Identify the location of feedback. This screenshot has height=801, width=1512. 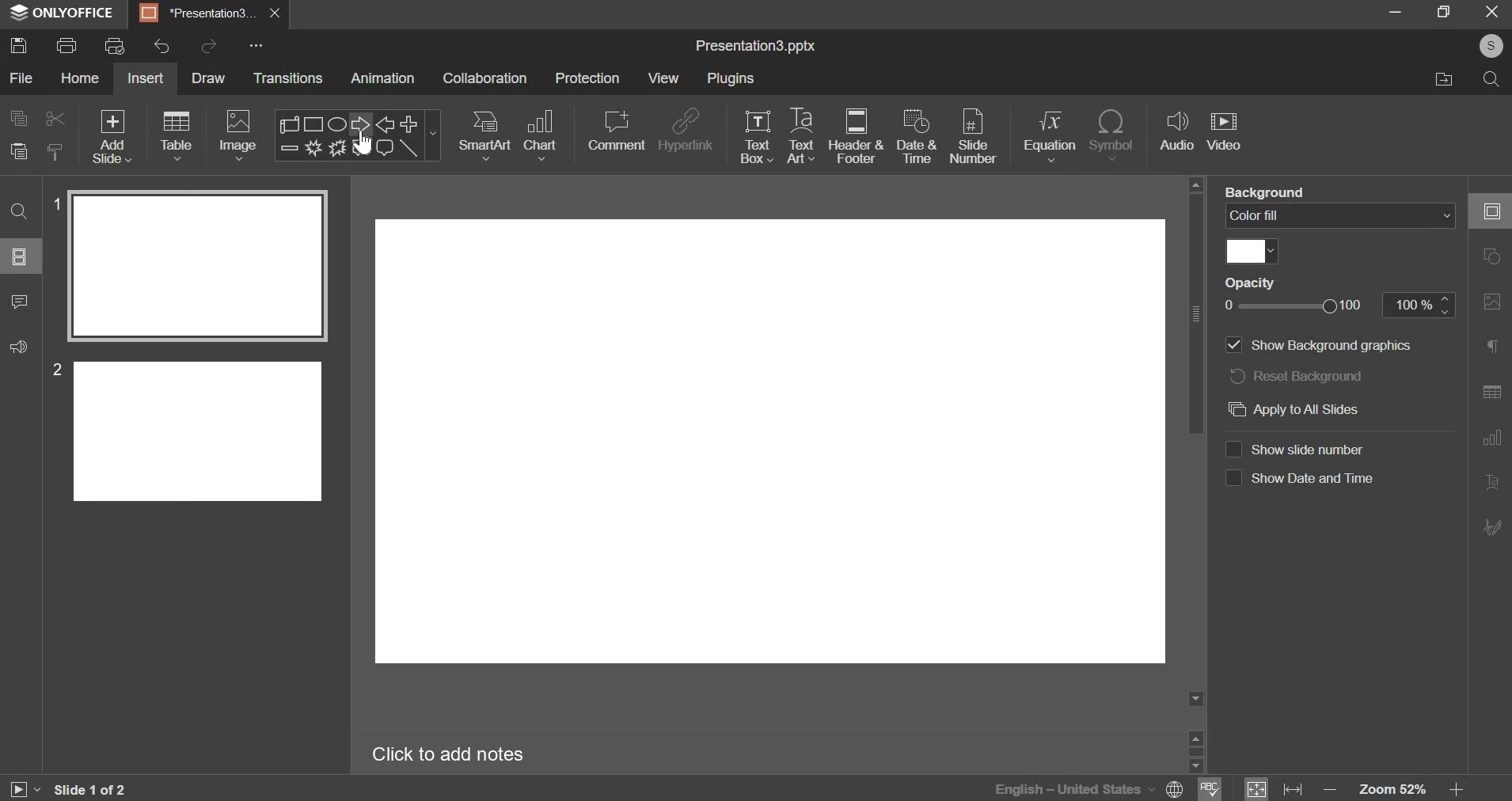
(19, 347).